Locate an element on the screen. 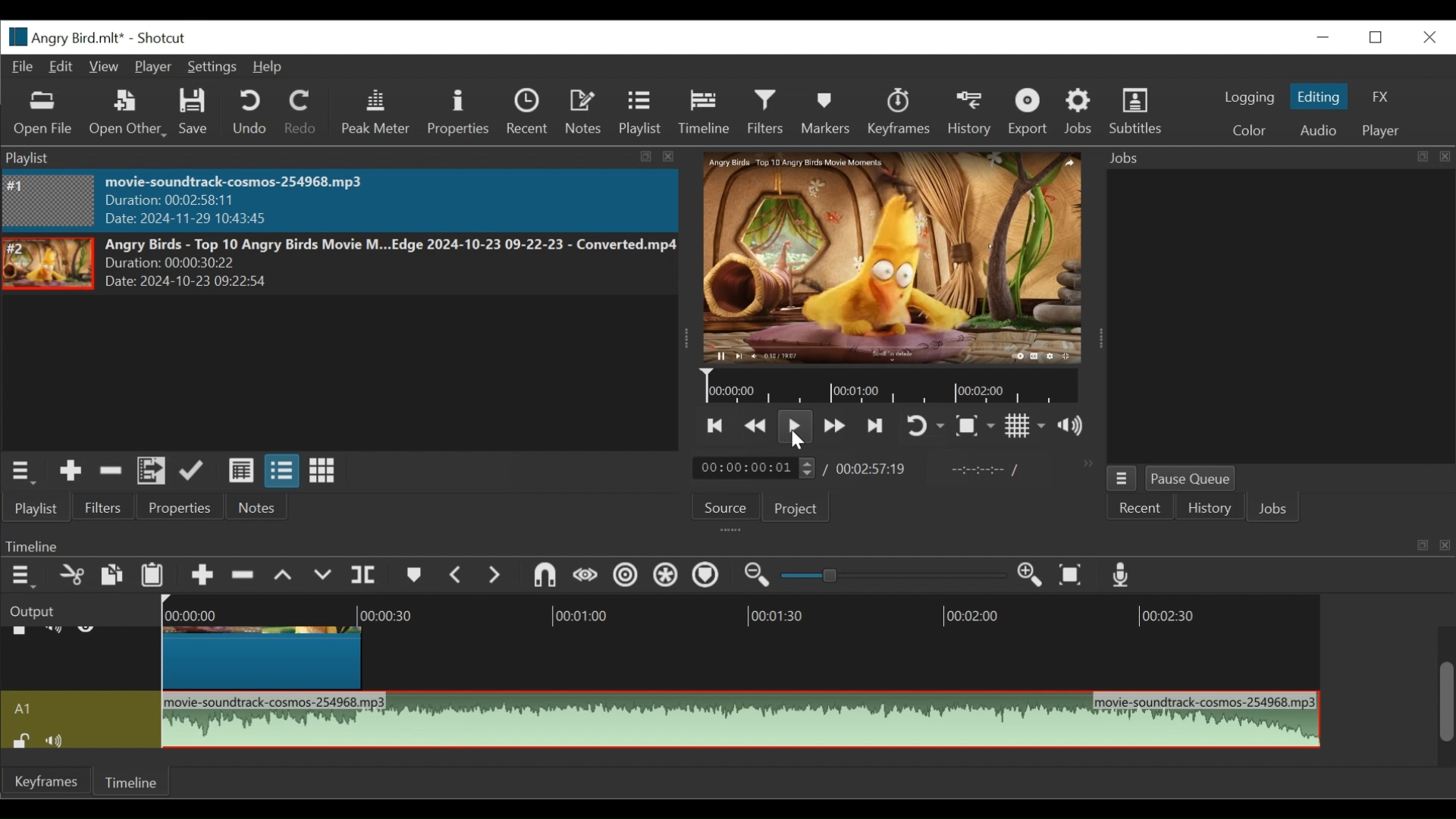 This screenshot has height=819, width=1456. Edit is located at coordinates (61, 66).